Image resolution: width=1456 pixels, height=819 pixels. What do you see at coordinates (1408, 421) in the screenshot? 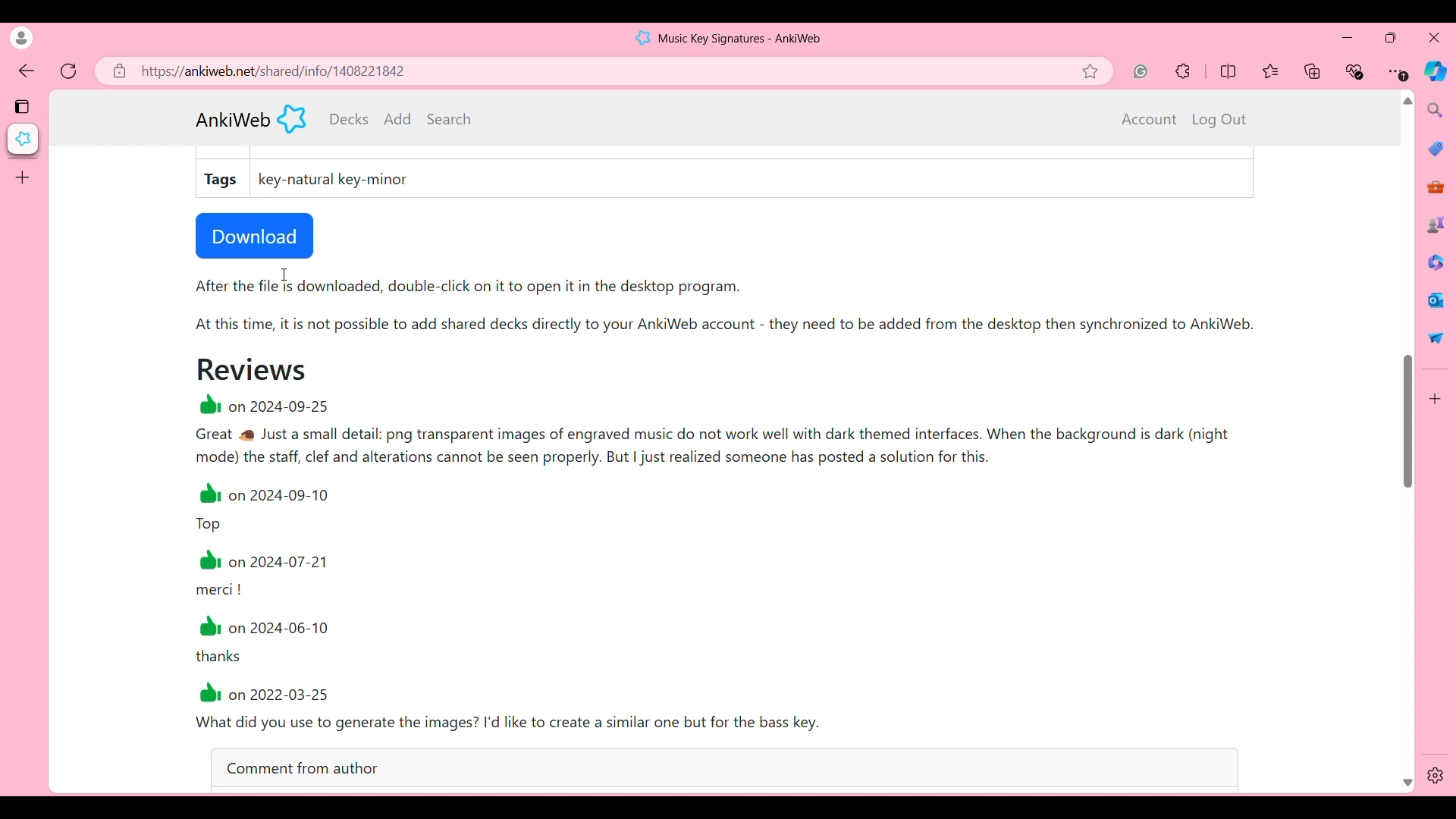
I see `Position of vertical slide bar changed` at bounding box center [1408, 421].